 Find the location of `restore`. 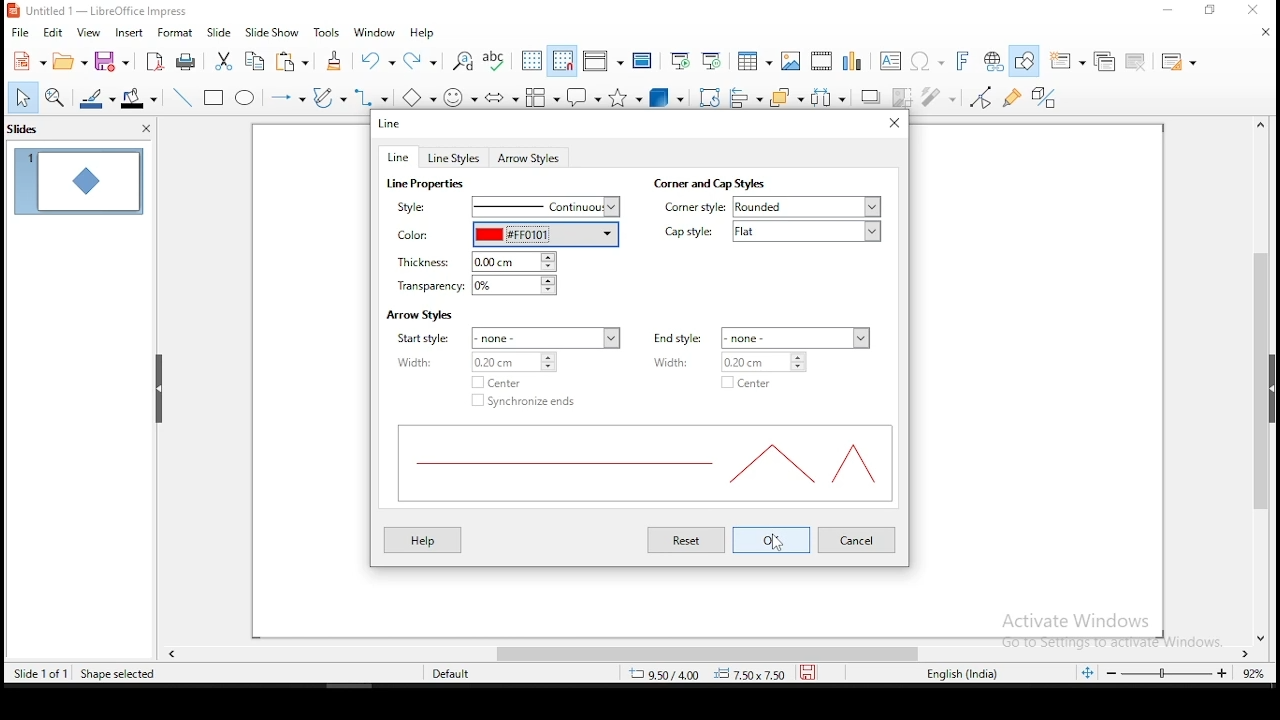

restore is located at coordinates (1209, 10).